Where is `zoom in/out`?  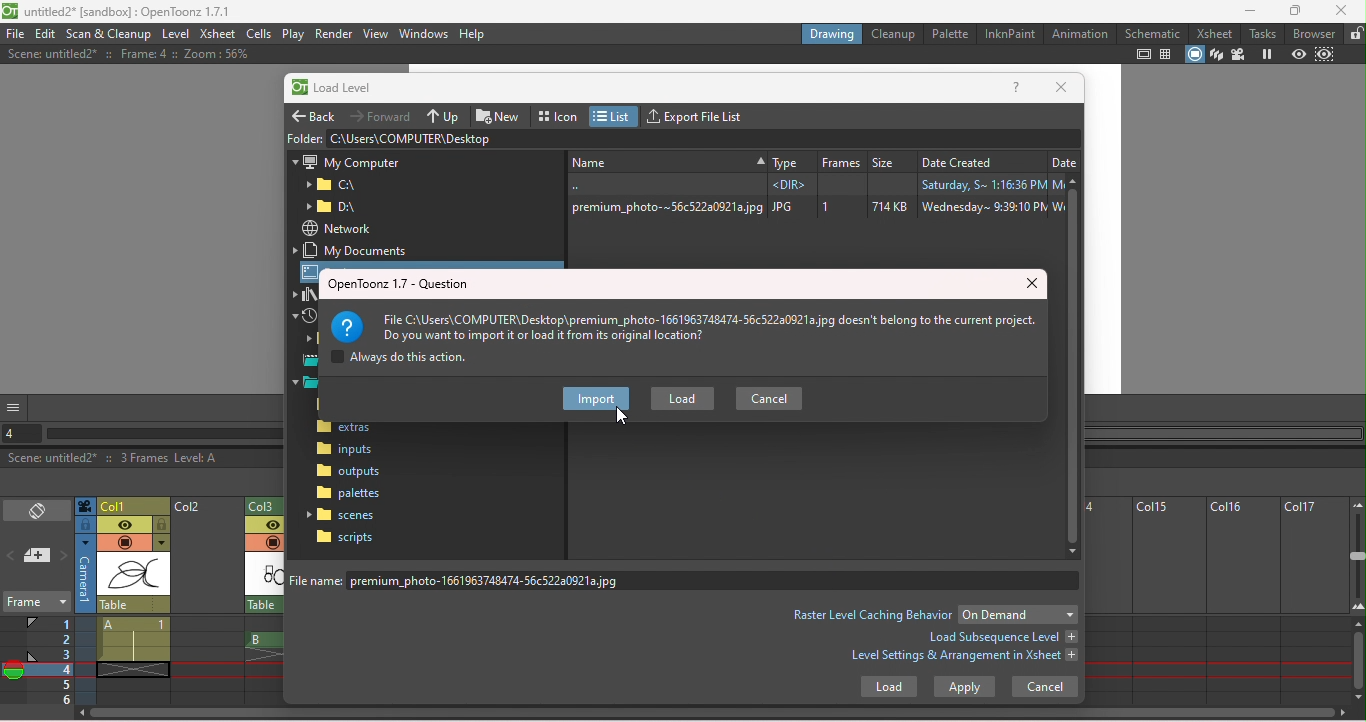
zoom in/out is located at coordinates (1358, 555).